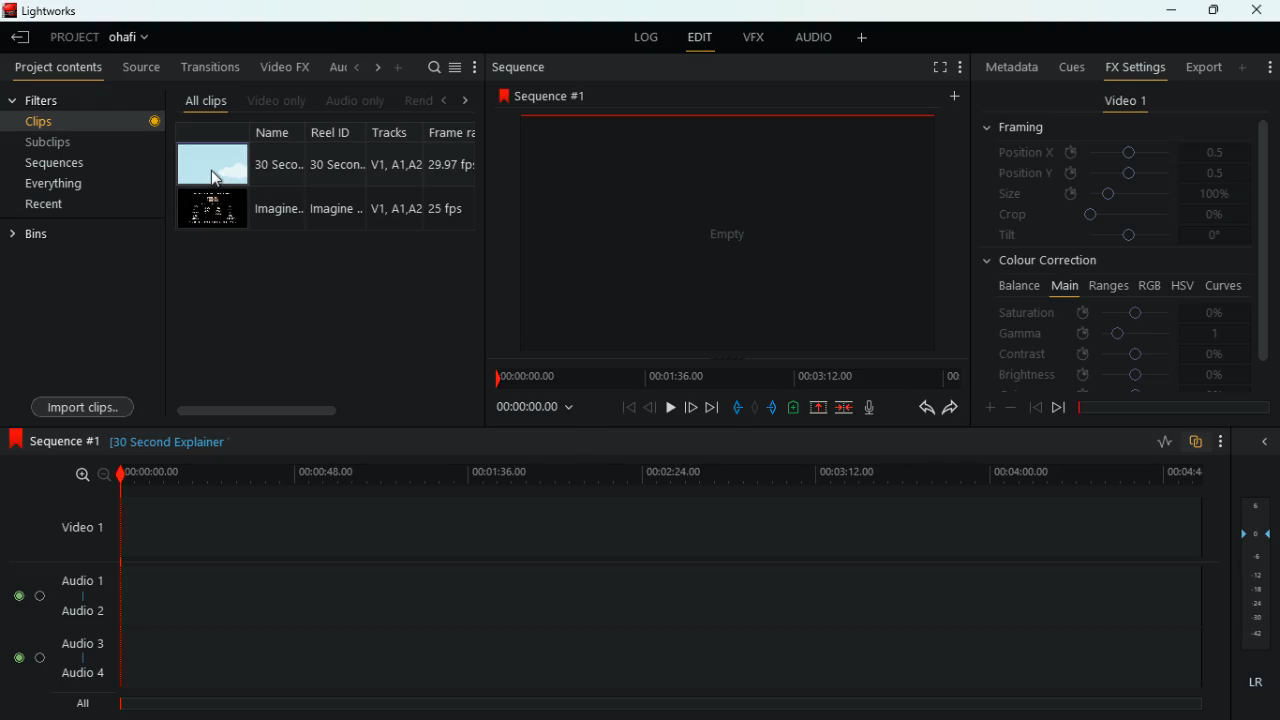 Image resolution: width=1280 pixels, height=720 pixels. I want to click on hold, so click(754, 406).